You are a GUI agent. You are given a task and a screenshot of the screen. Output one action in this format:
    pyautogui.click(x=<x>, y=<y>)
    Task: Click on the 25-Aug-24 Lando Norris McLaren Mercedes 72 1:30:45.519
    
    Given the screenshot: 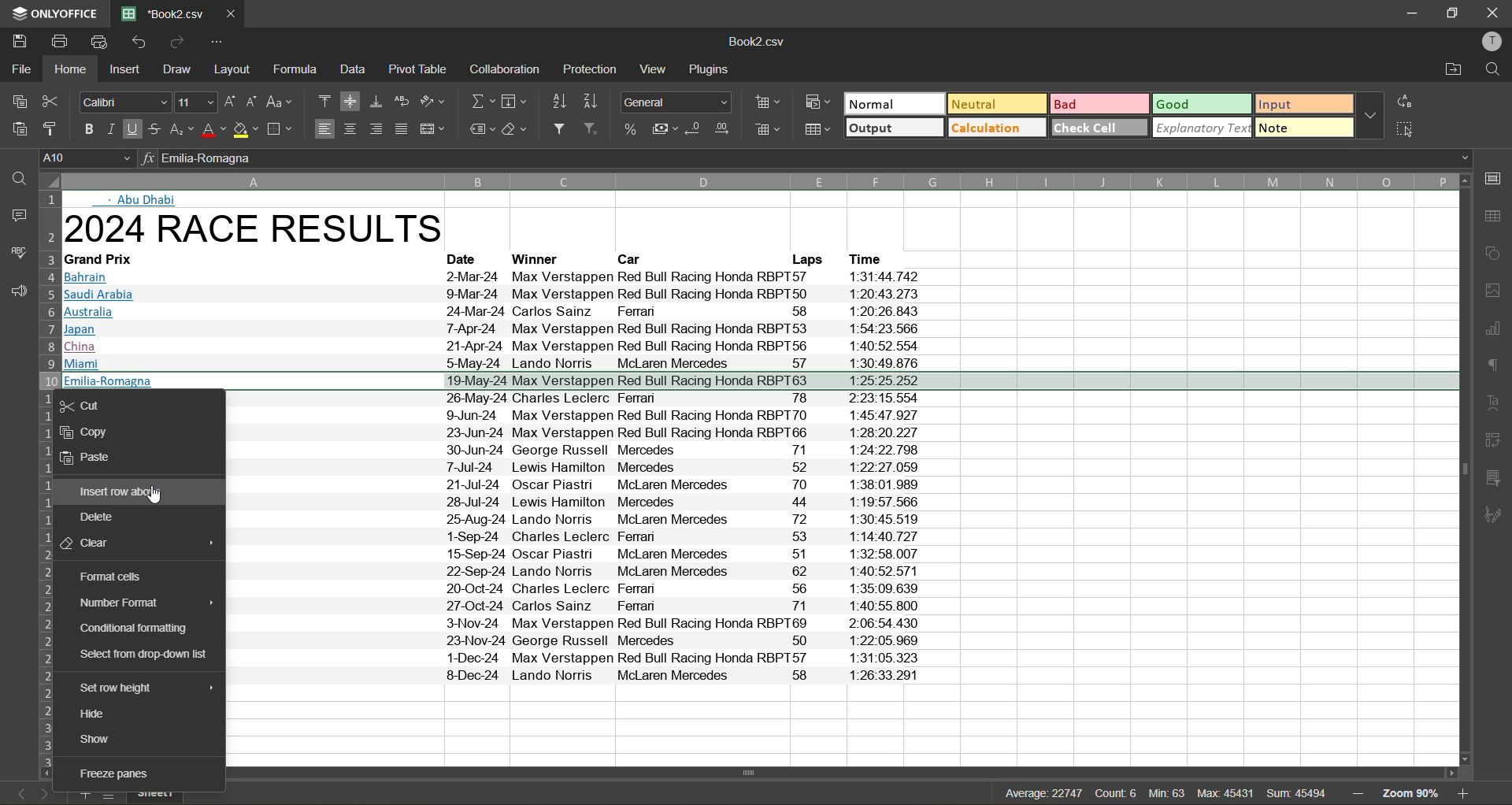 What is the action you would take?
    pyautogui.click(x=576, y=518)
    